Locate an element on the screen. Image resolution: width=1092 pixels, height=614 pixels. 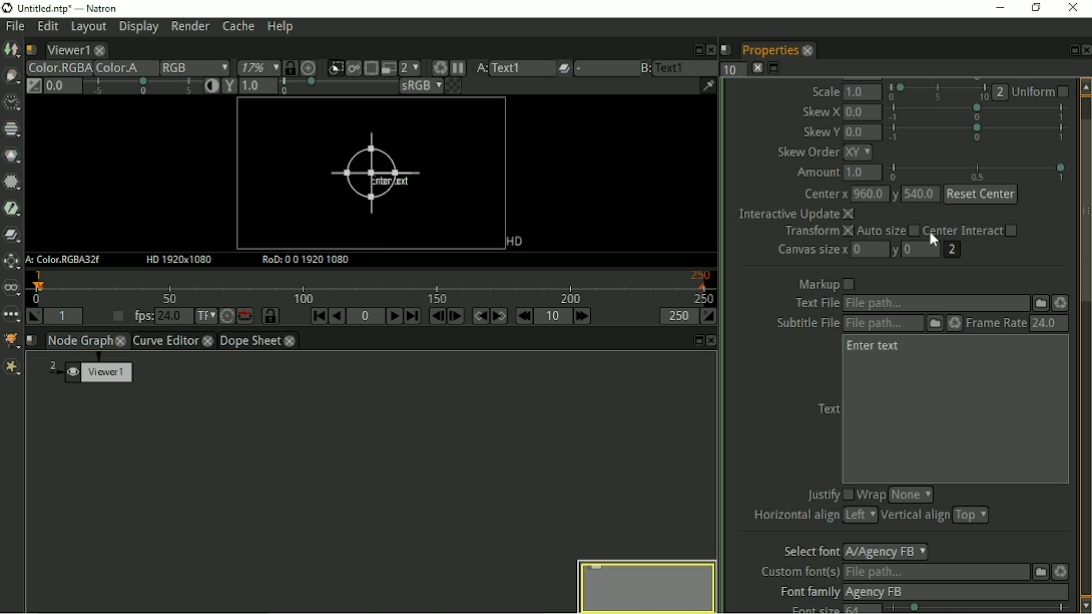
Curve Editor is located at coordinates (165, 342).